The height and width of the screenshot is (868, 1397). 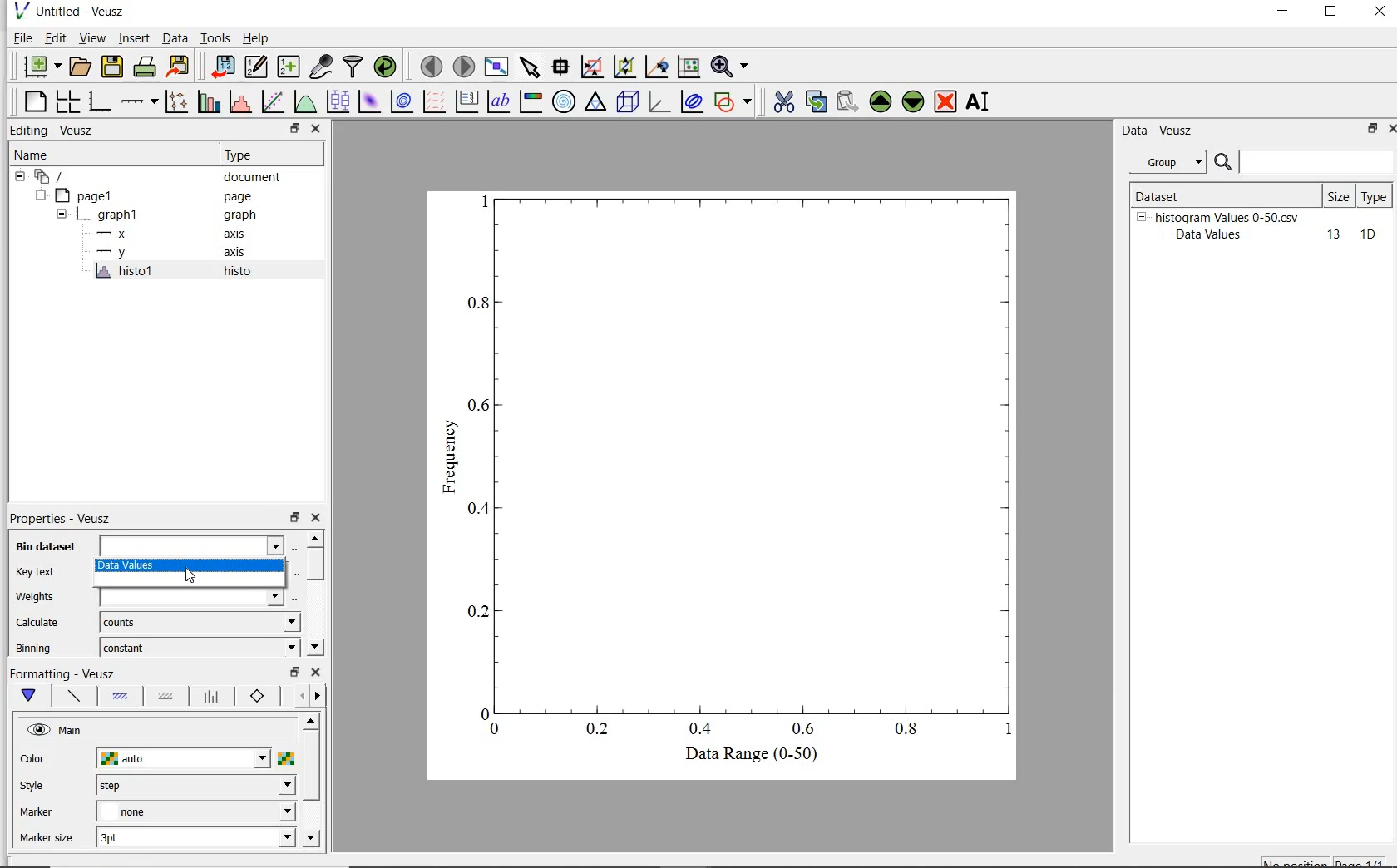 What do you see at coordinates (436, 101) in the screenshot?
I see `plot a vector field` at bounding box center [436, 101].